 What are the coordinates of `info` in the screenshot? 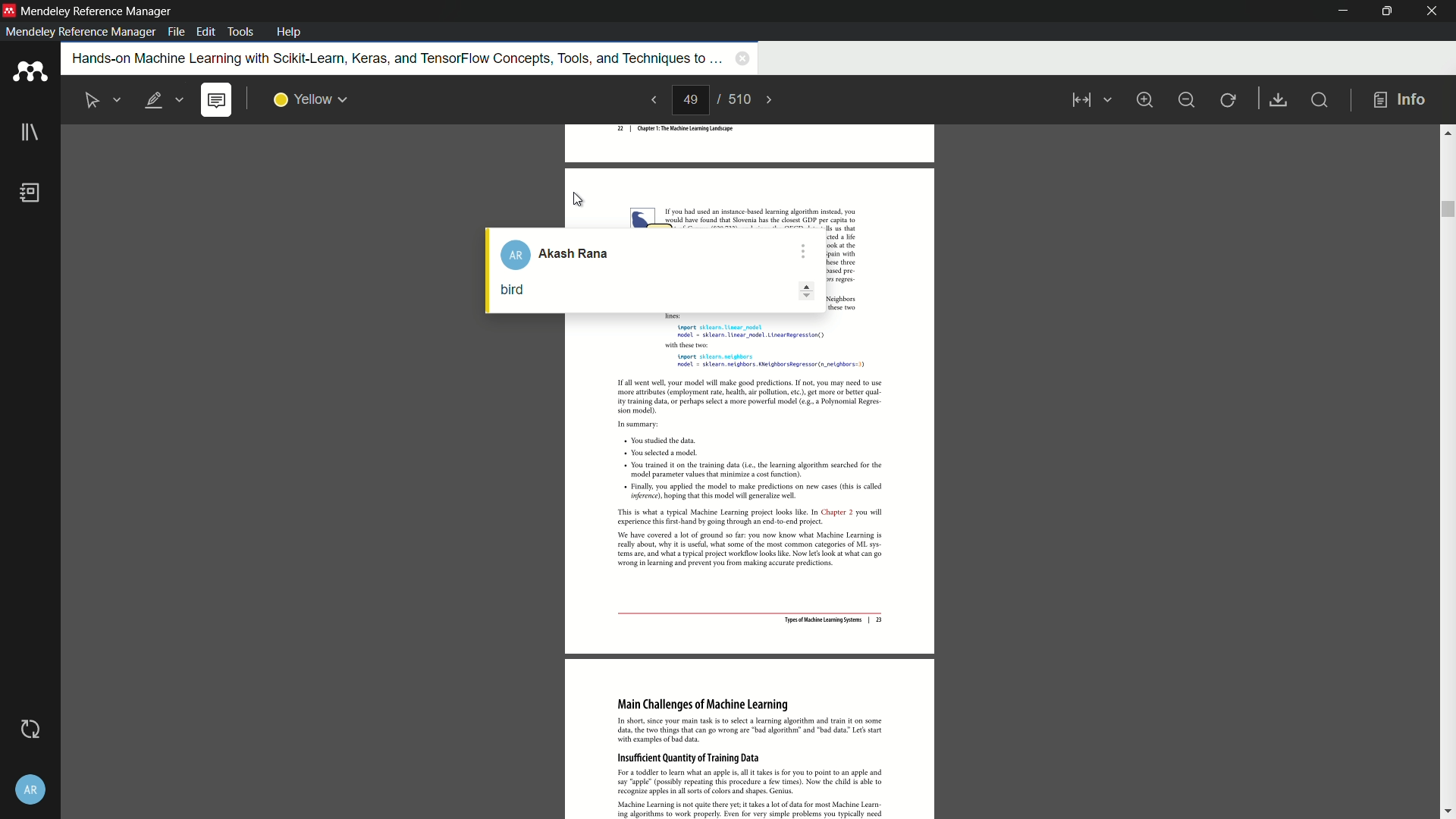 It's located at (1400, 99).